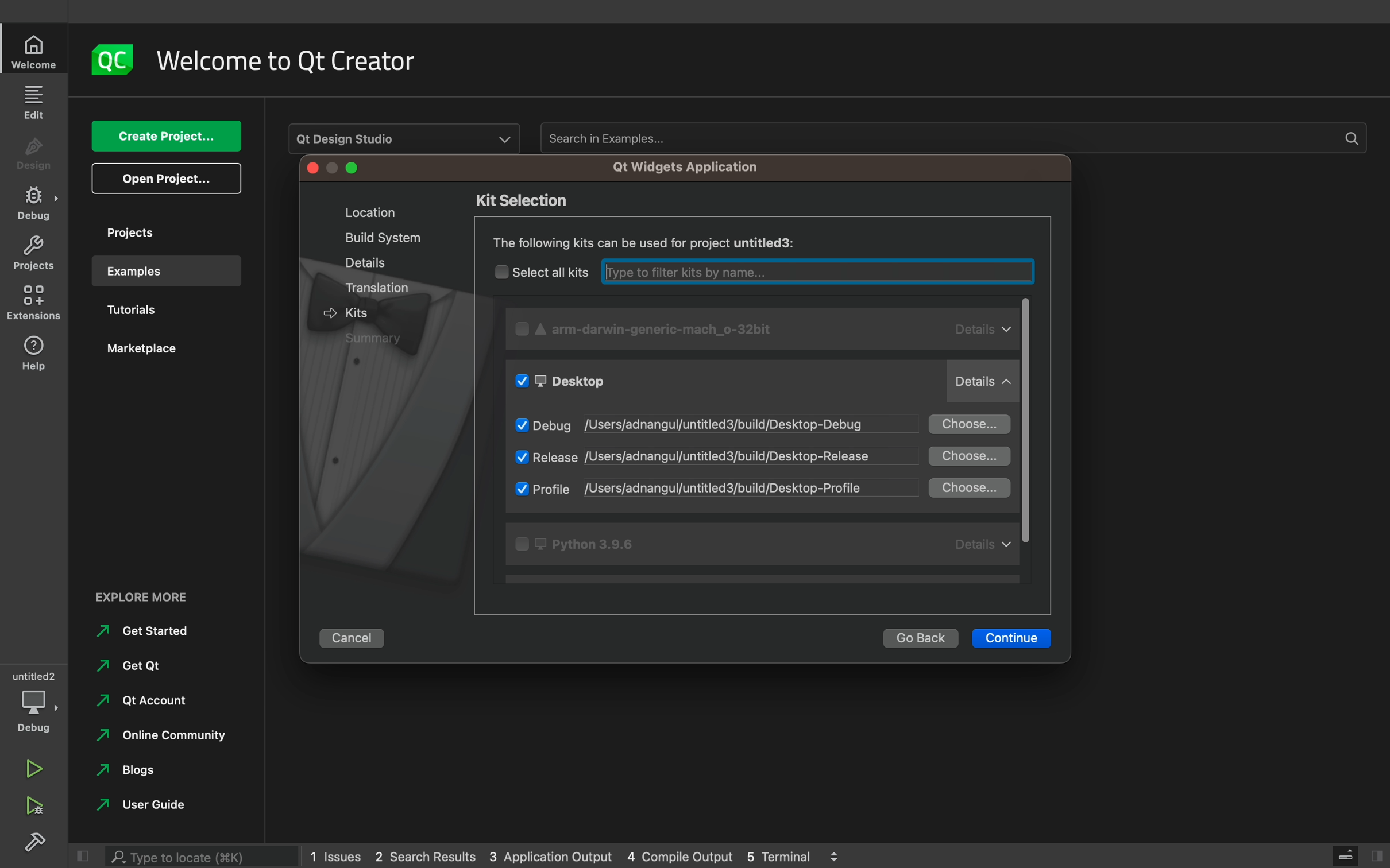  What do you see at coordinates (36, 303) in the screenshot?
I see `extensions` at bounding box center [36, 303].